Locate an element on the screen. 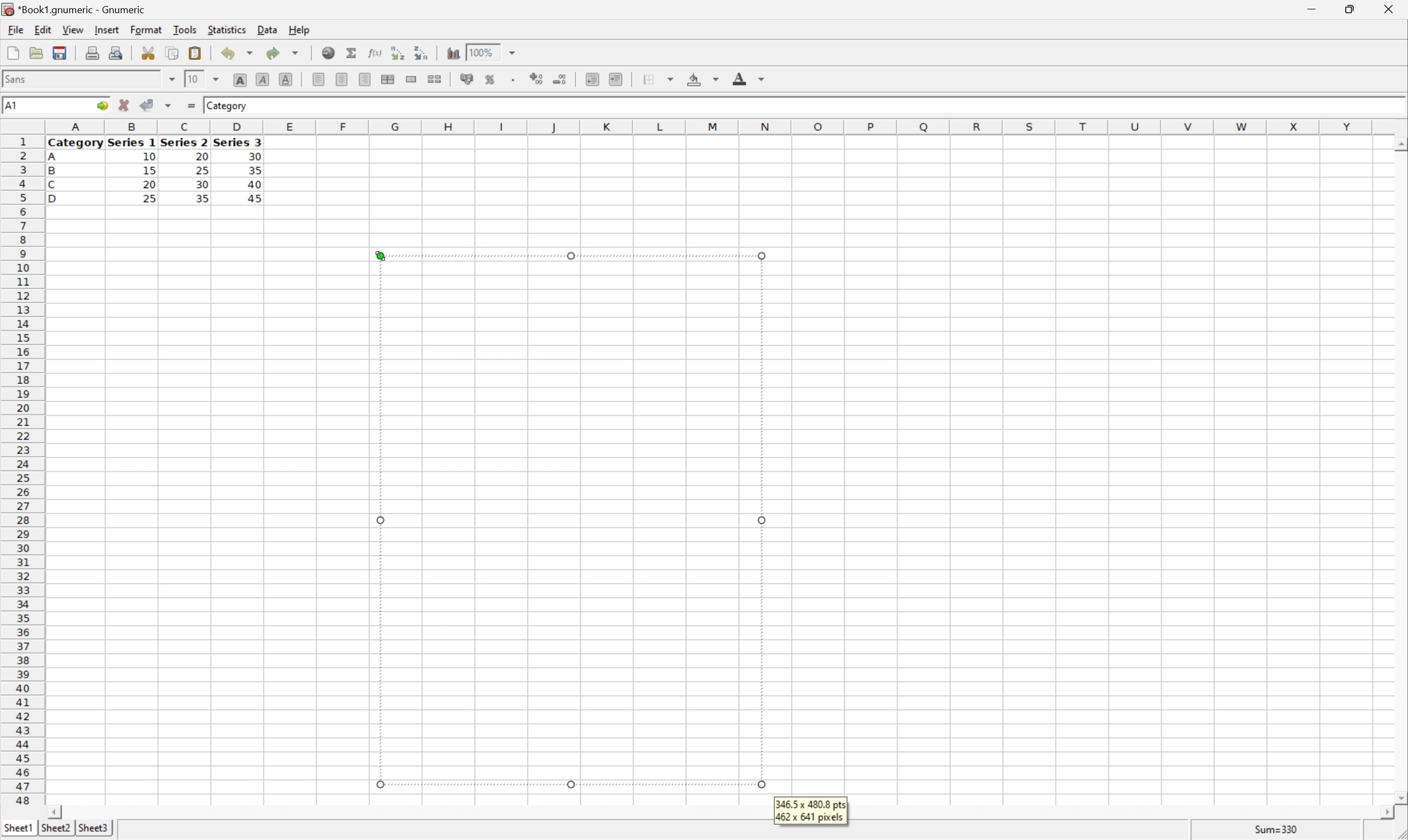 Image resolution: width=1408 pixels, height=840 pixels. Sheet3 is located at coordinates (95, 828).